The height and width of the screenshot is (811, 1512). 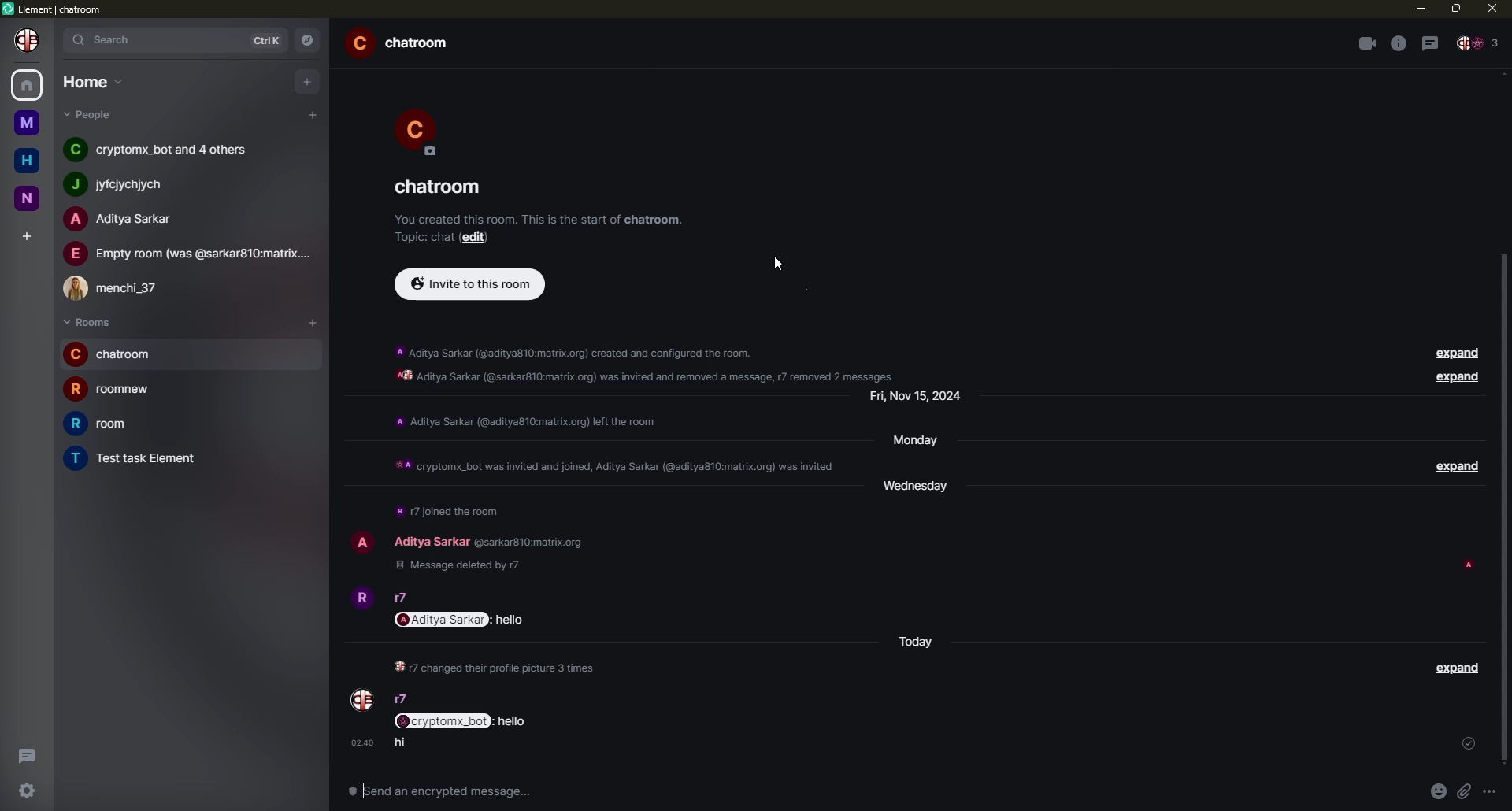 I want to click on day, so click(x=917, y=400).